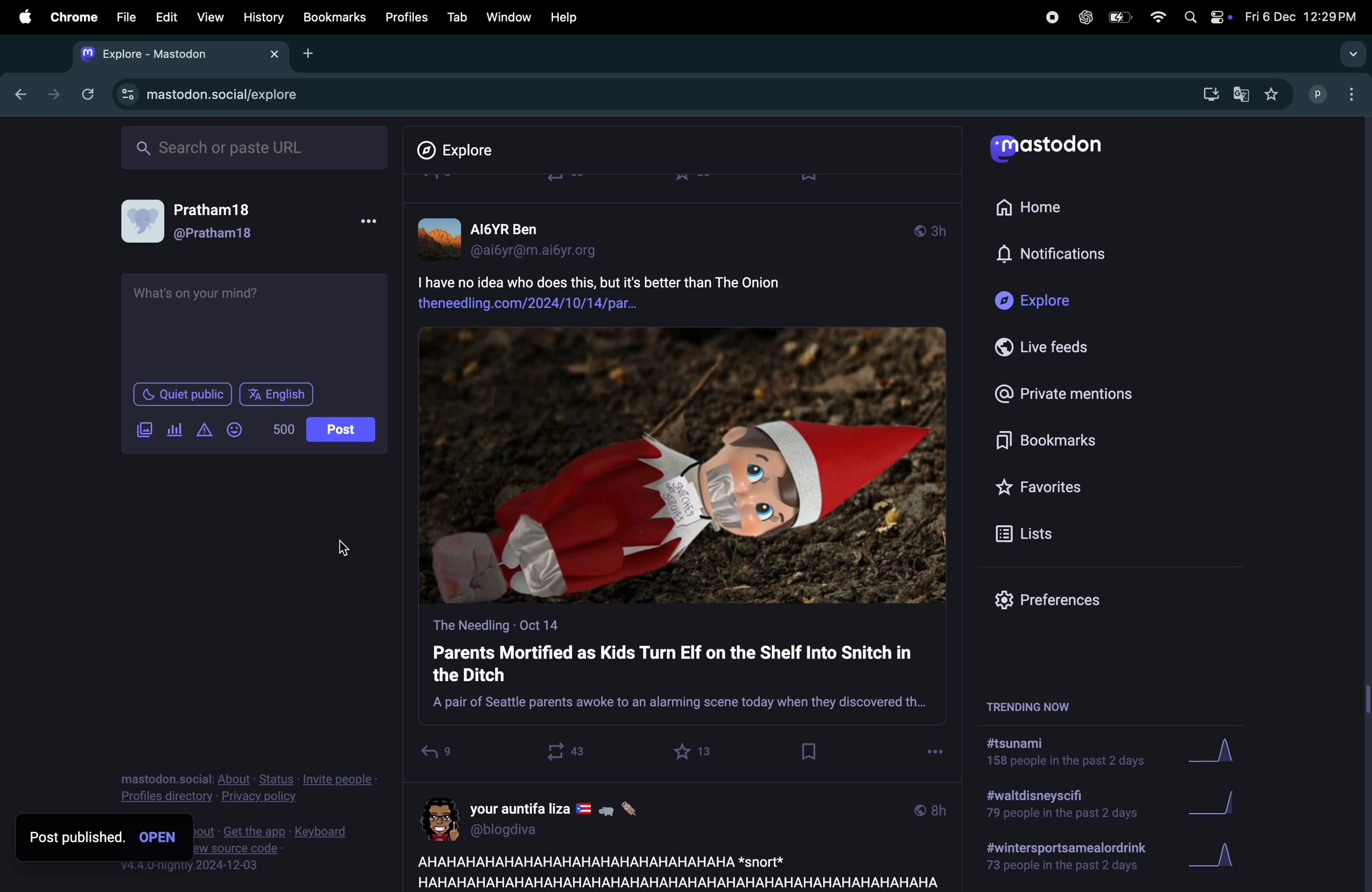  What do you see at coordinates (1058, 808) in the screenshot?
I see `#walt disney` at bounding box center [1058, 808].